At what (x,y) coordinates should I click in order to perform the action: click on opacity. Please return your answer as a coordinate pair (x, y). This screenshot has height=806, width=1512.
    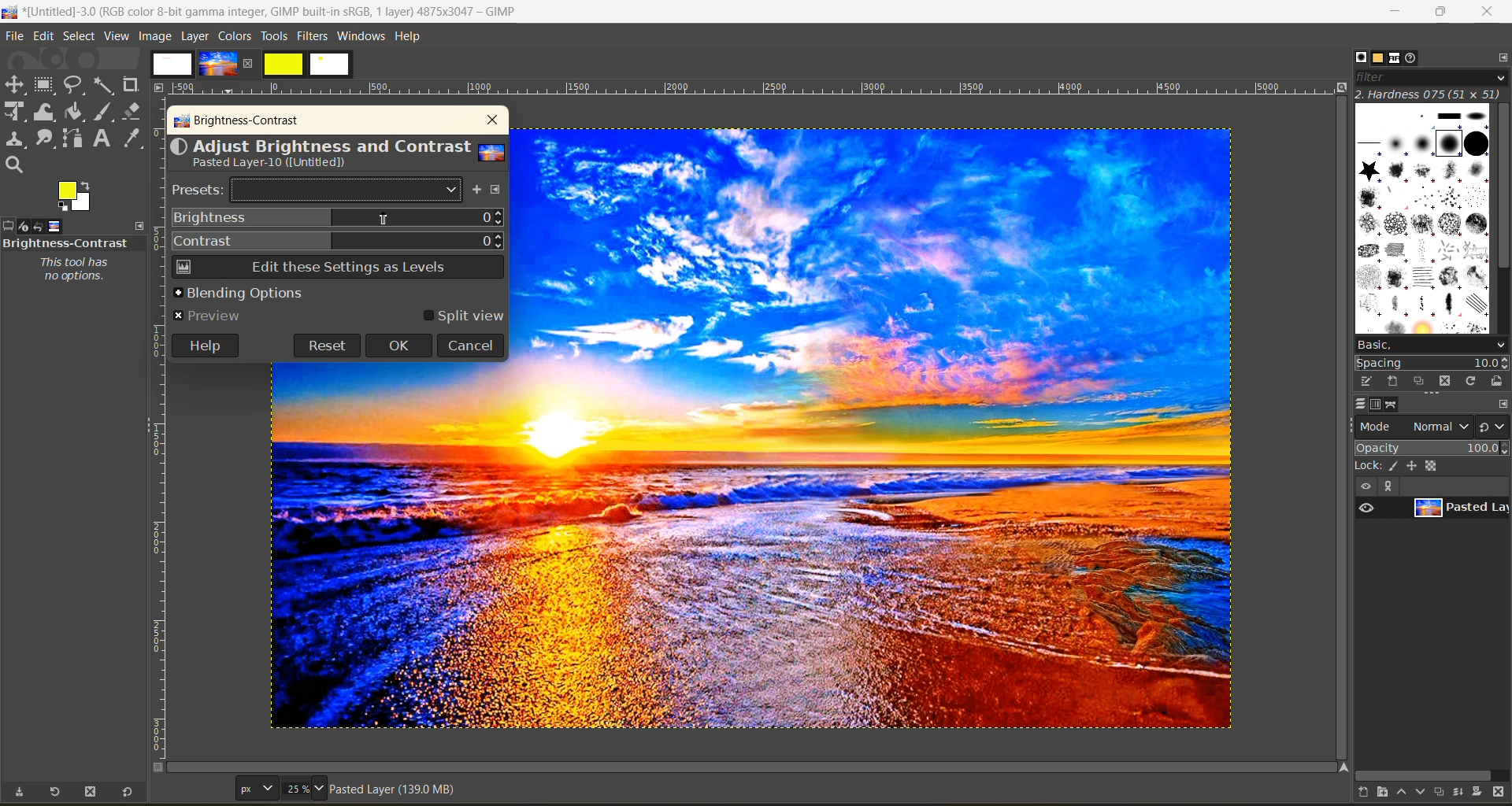
    Looking at the image, I should click on (1432, 447).